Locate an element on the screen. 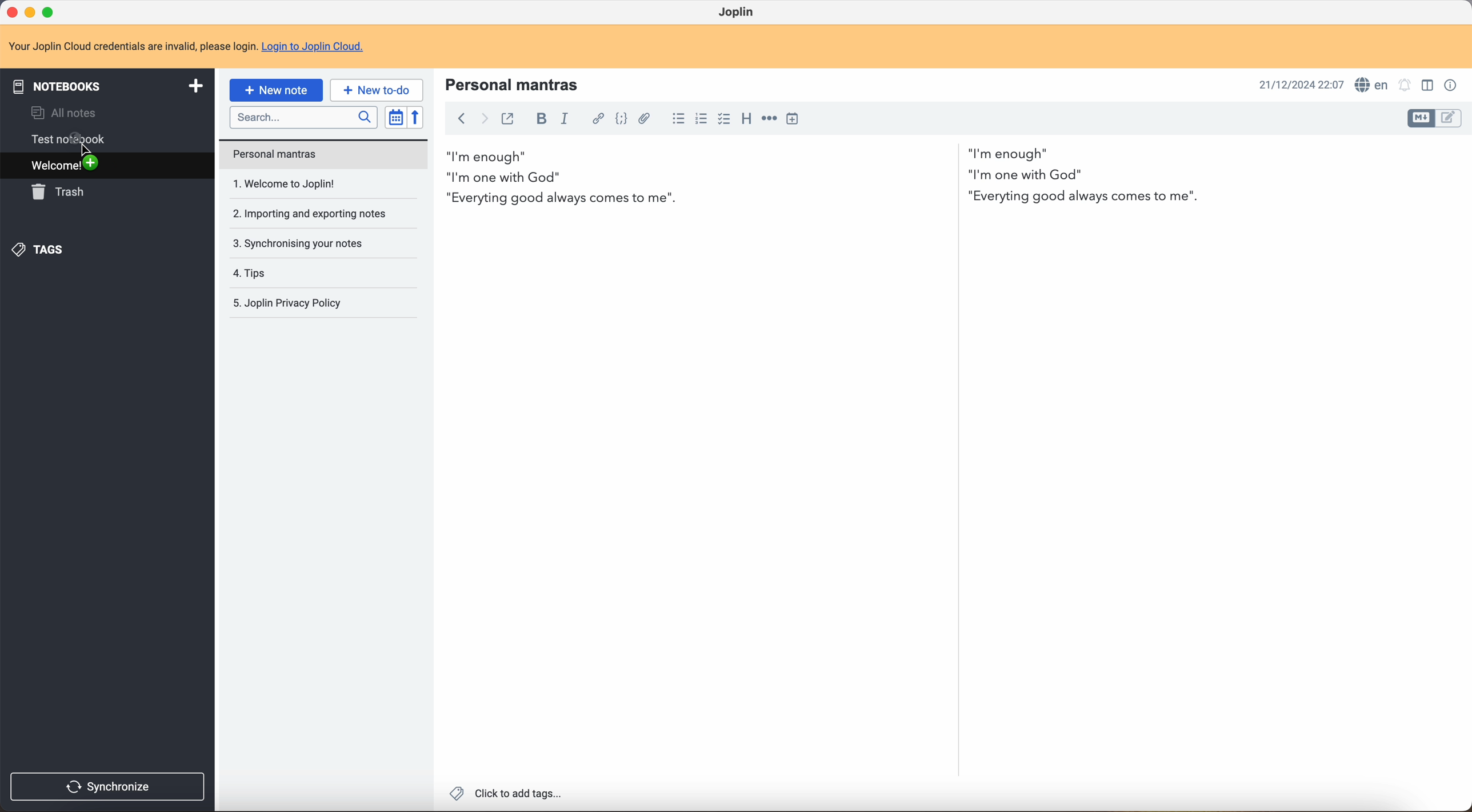 The height and width of the screenshot is (812, 1472). spell checker is located at coordinates (1373, 83).